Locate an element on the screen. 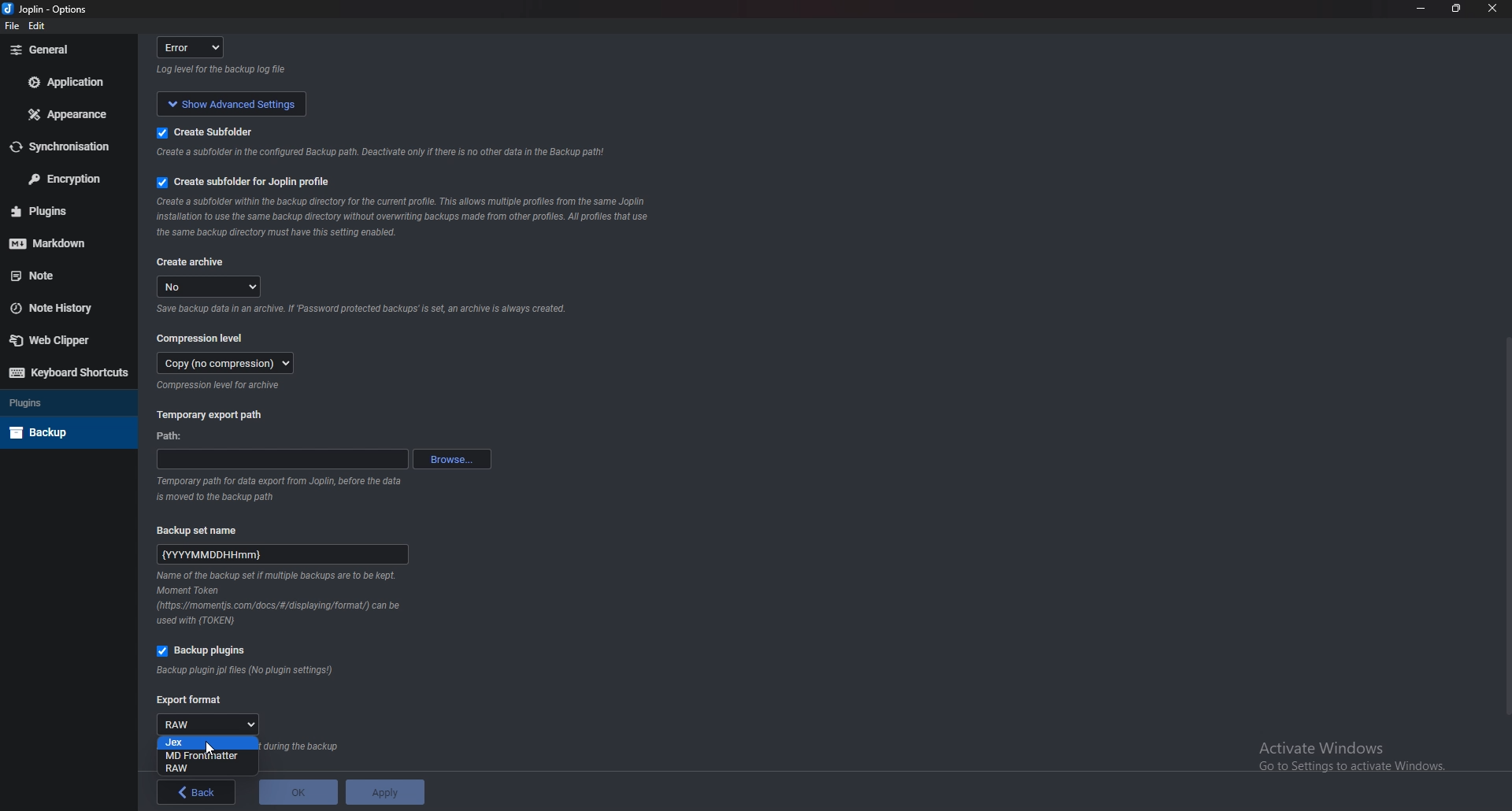 Image resolution: width=1512 pixels, height=811 pixels. error is located at coordinates (195, 46).